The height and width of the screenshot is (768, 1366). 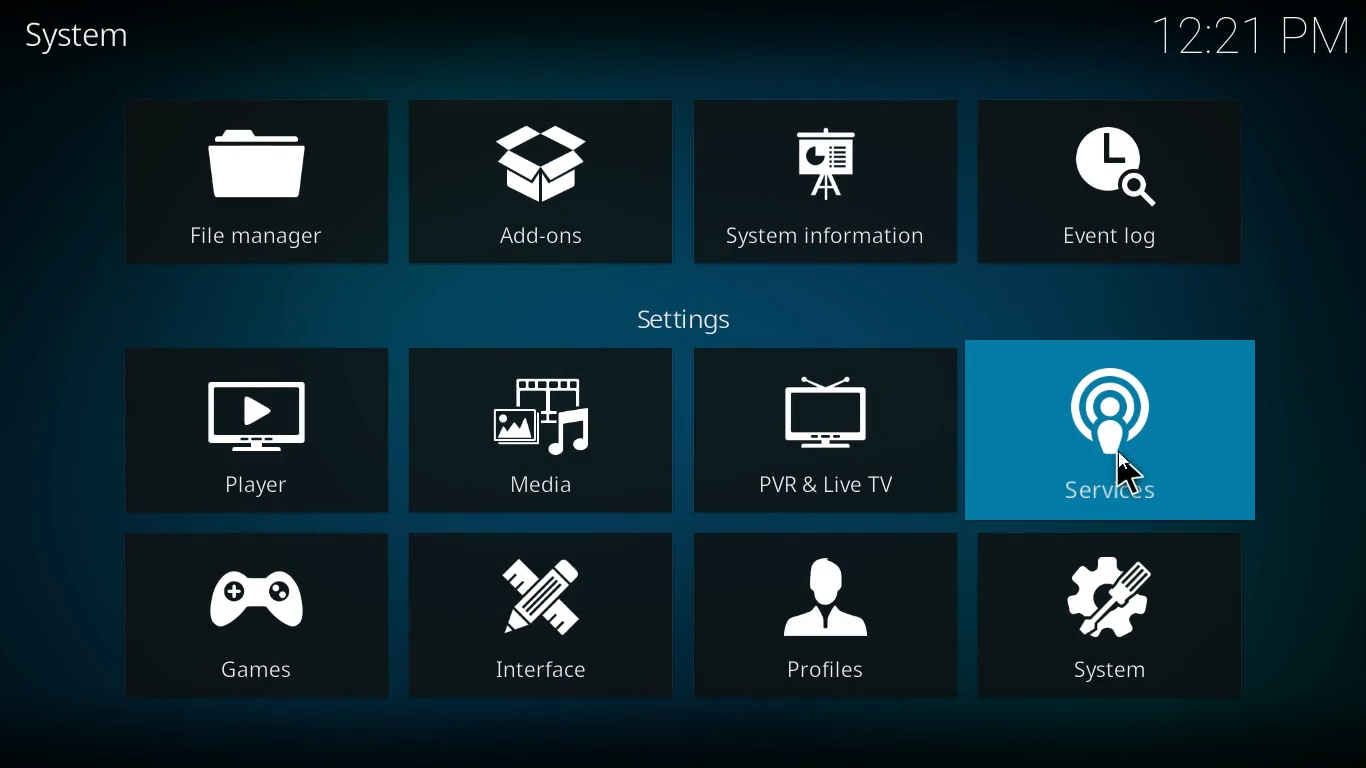 I want to click on services, so click(x=1121, y=430).